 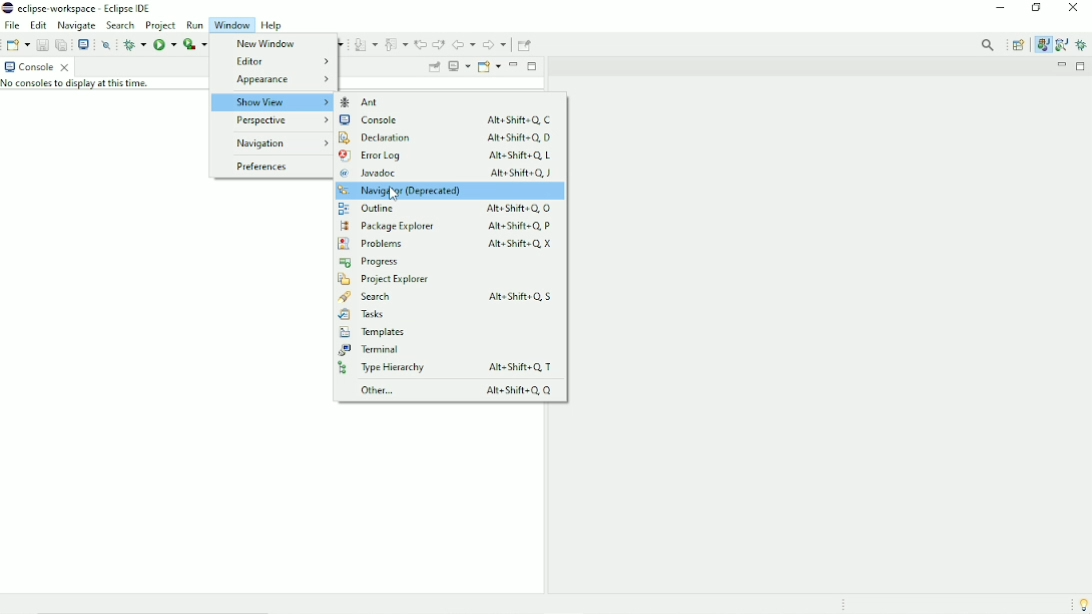 What do you see at coordinates (495, 46) in the screenshot?
I see `Forward` at bounding box center [495, 46].